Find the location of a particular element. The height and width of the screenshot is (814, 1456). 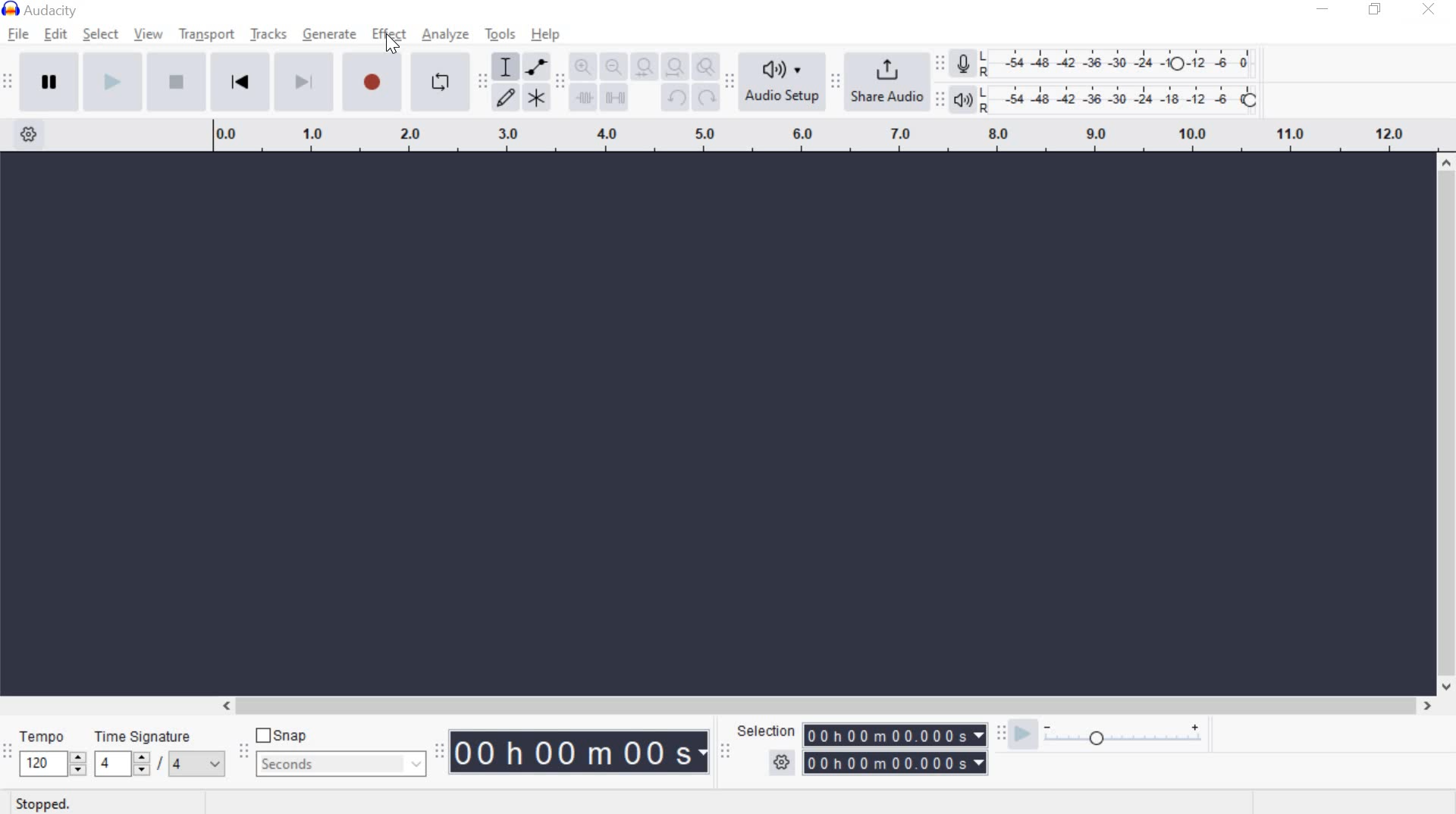

selection option is located at coordinates (781, 765).